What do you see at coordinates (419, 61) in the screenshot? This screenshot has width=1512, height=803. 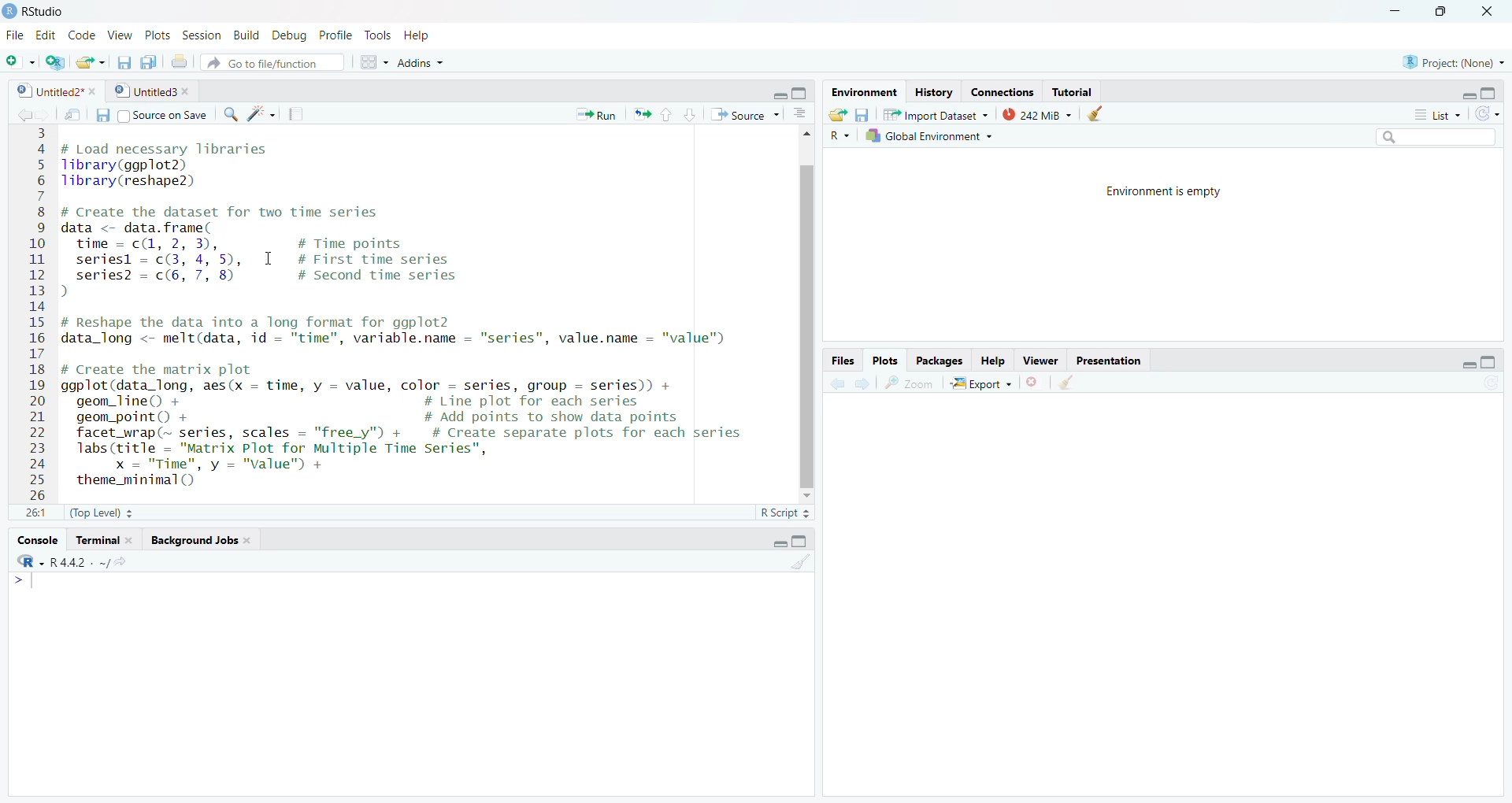 I see `Addins ` at bounding box center [419, 61].